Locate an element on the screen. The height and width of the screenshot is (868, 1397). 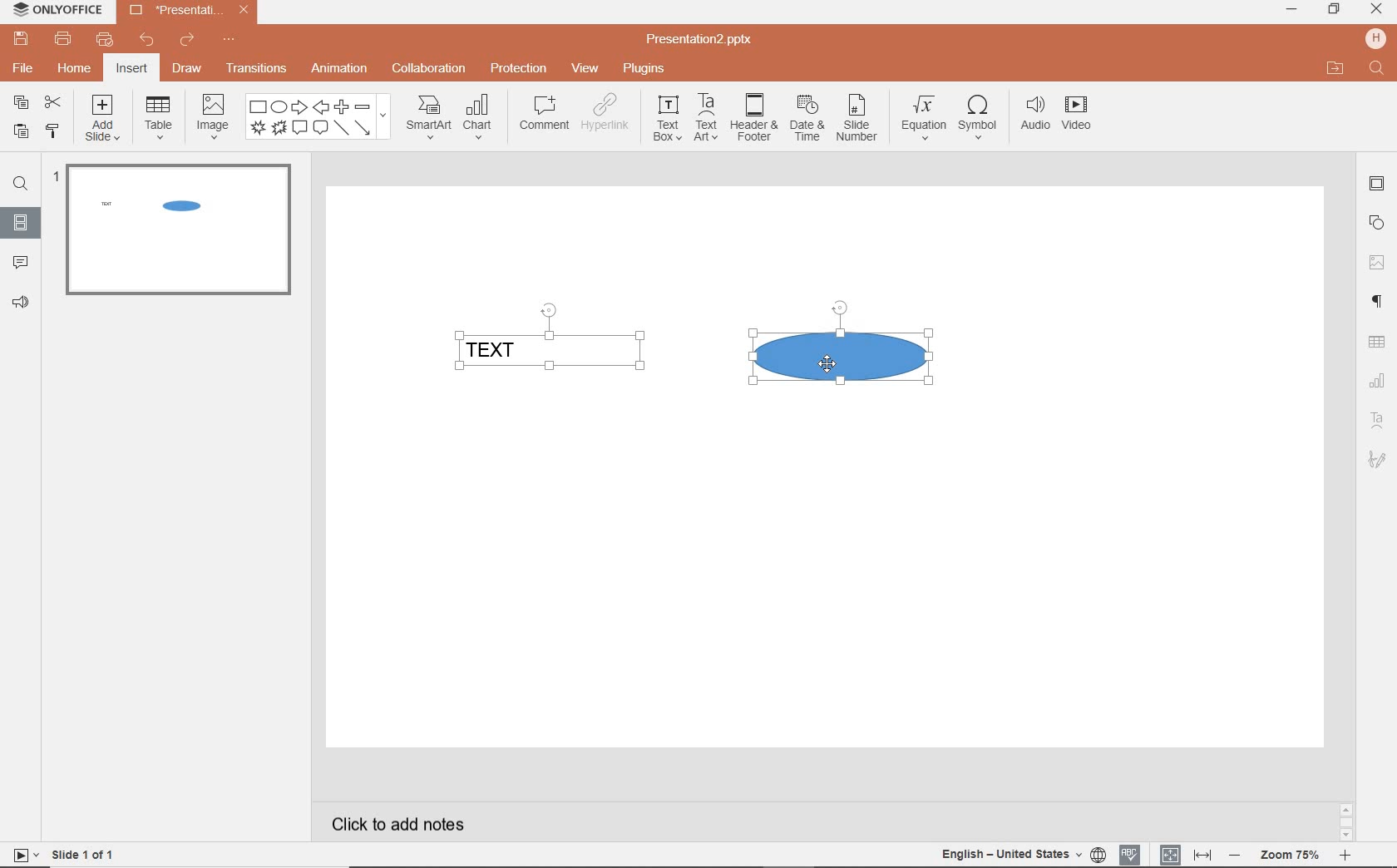
textbox is located at coordinates (665, 119).